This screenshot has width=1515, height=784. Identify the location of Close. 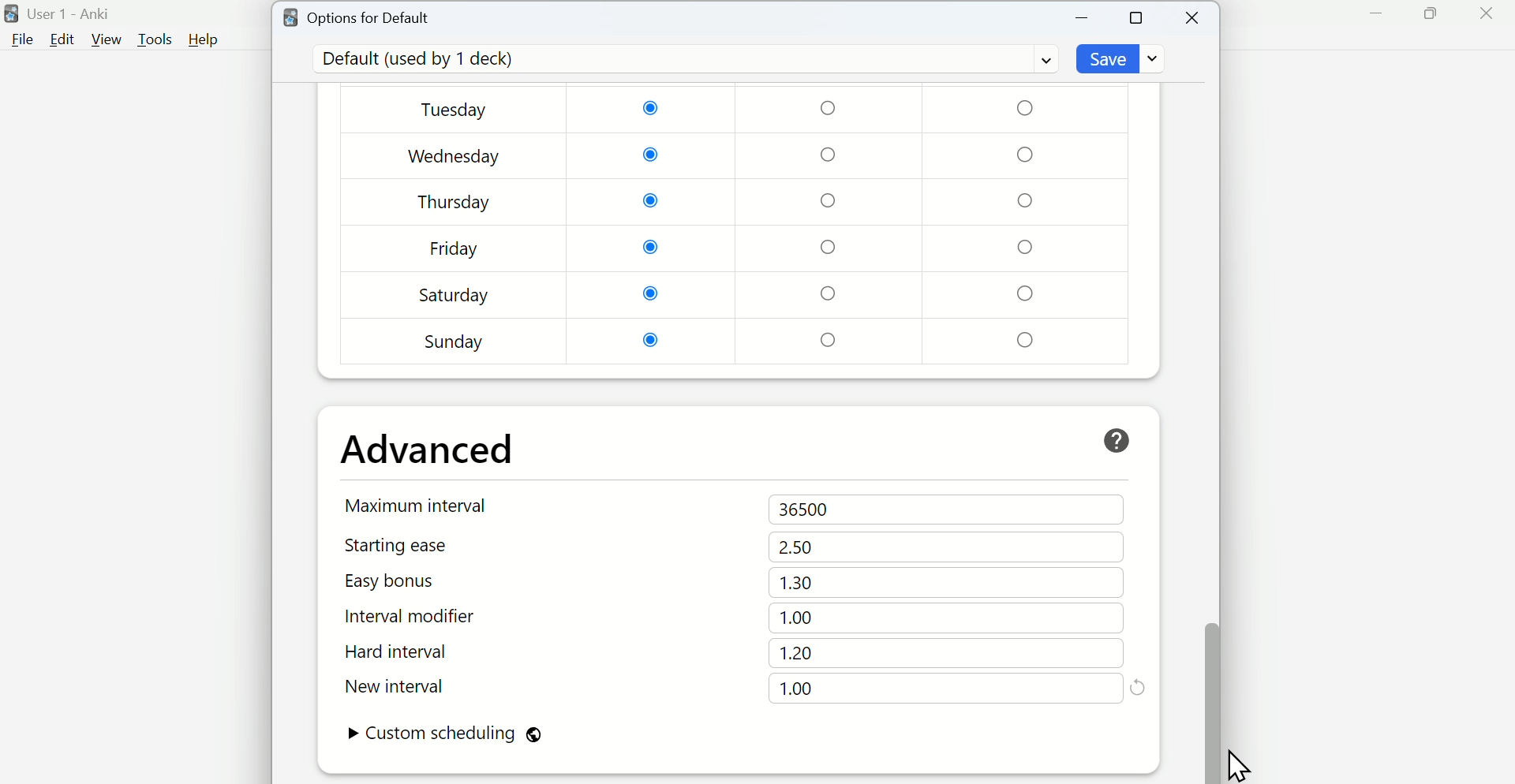
(1194, 18).